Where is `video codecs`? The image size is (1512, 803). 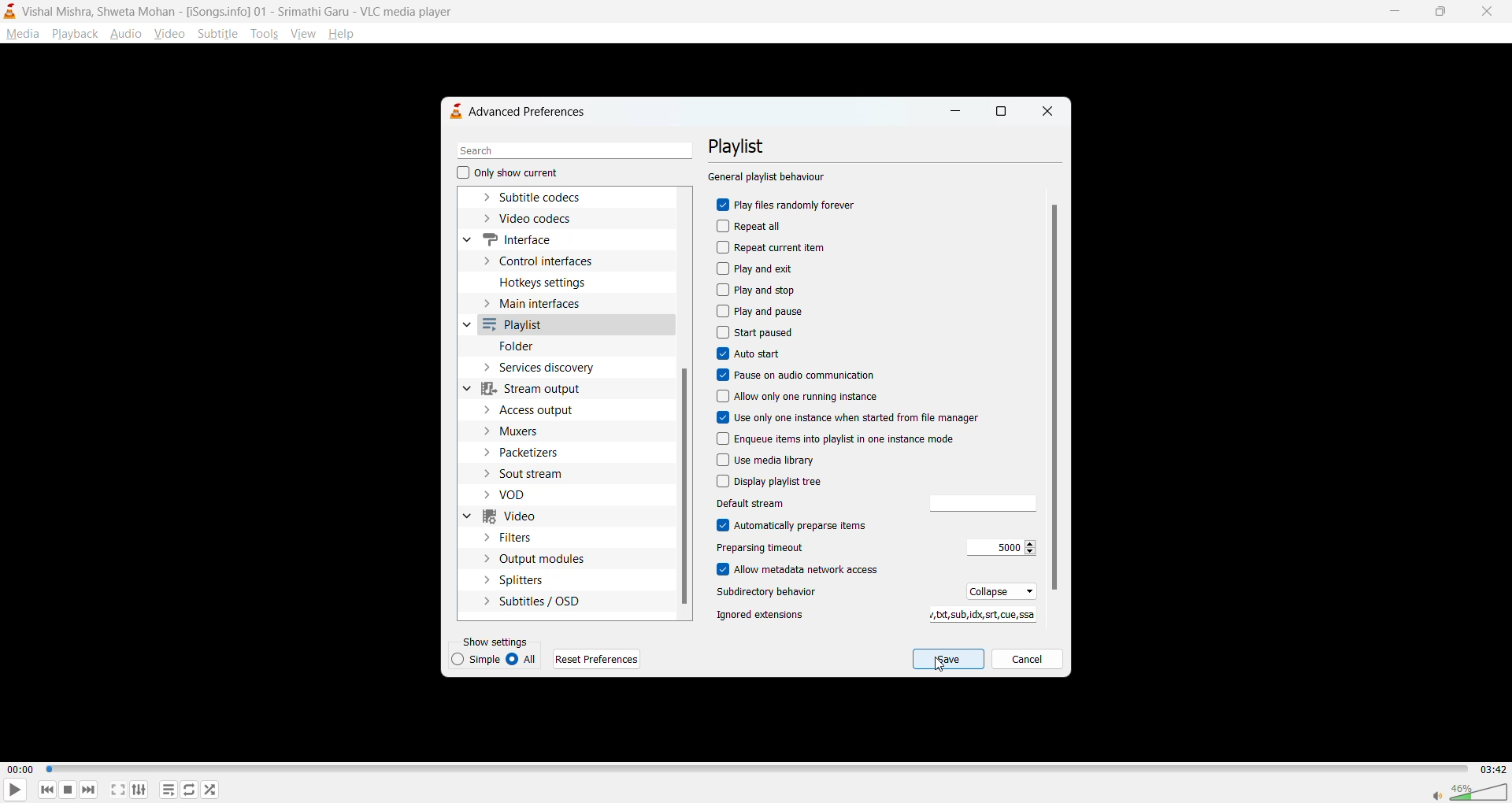 video codecs is located at coordinates (534, 220).